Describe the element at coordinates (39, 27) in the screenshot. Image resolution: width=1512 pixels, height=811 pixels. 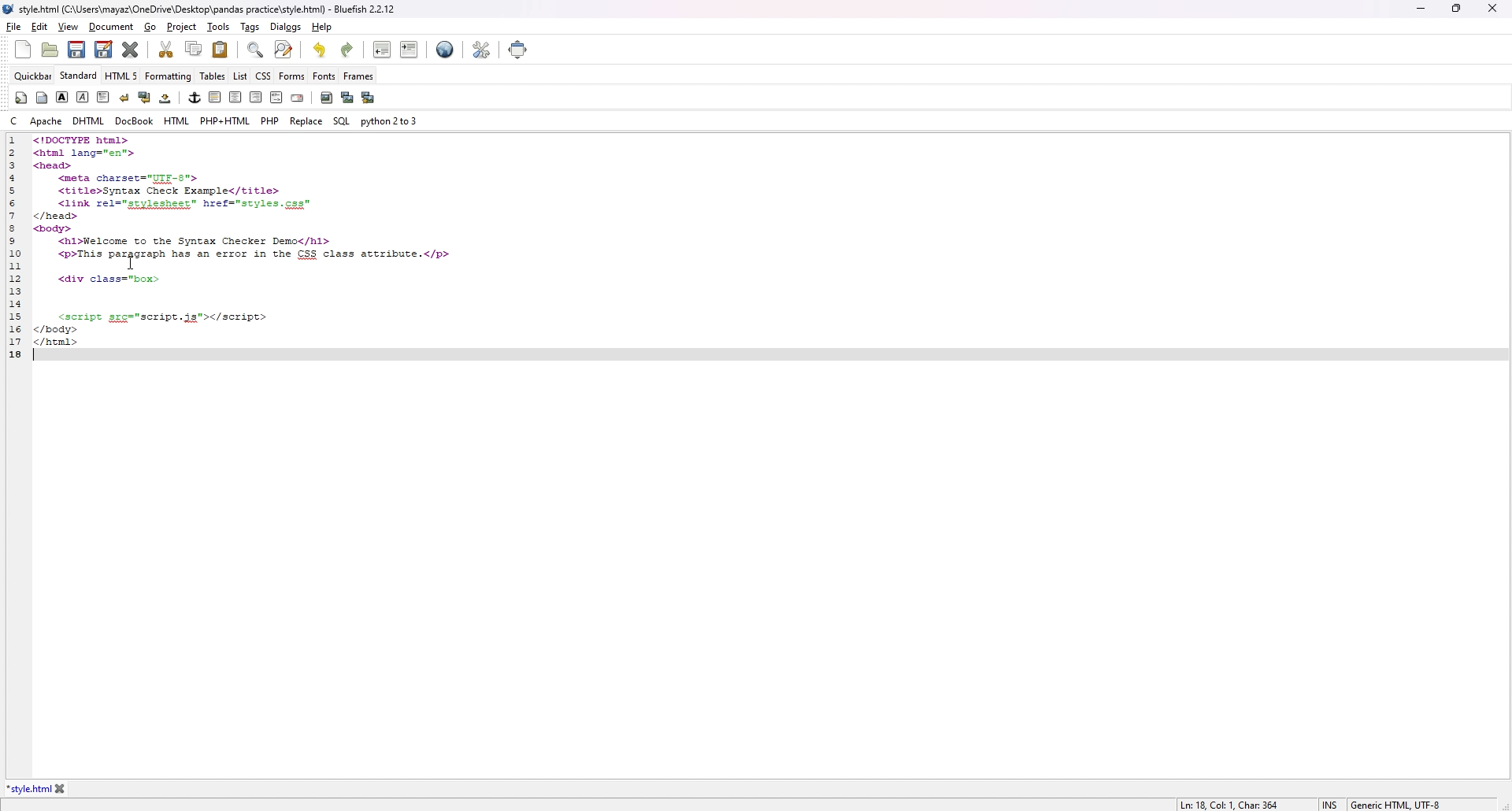
I see `edit` at that location.